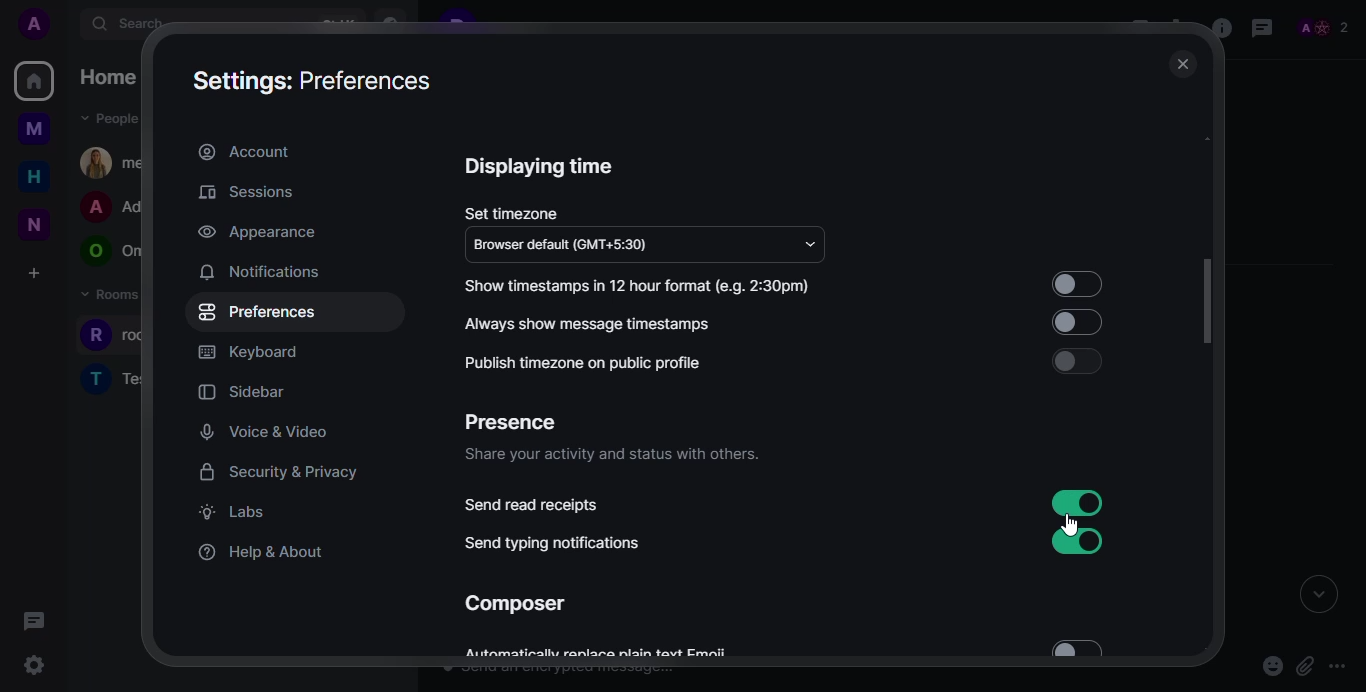 This screenshot has width=1366, height=692. Describe the element at coordinates (562, 244) in the screenshot. I see `browser default (GMT+5:30)` at that location.